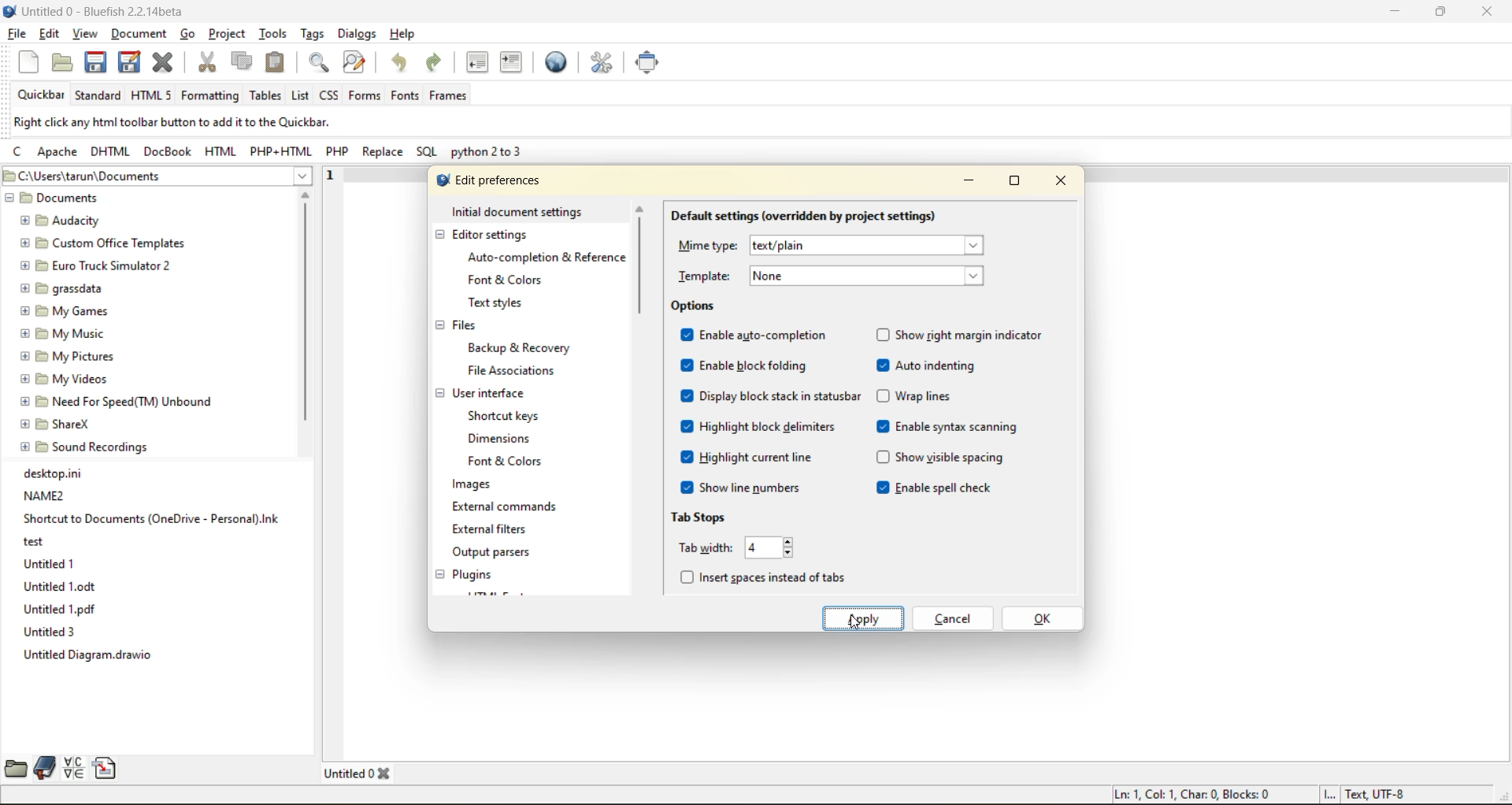 The width and height of the screenshot is (1512, 805). What do you see at coordinates (495, 530) in the screenshot?
I see `external filters` at bounding box center [495, 530].